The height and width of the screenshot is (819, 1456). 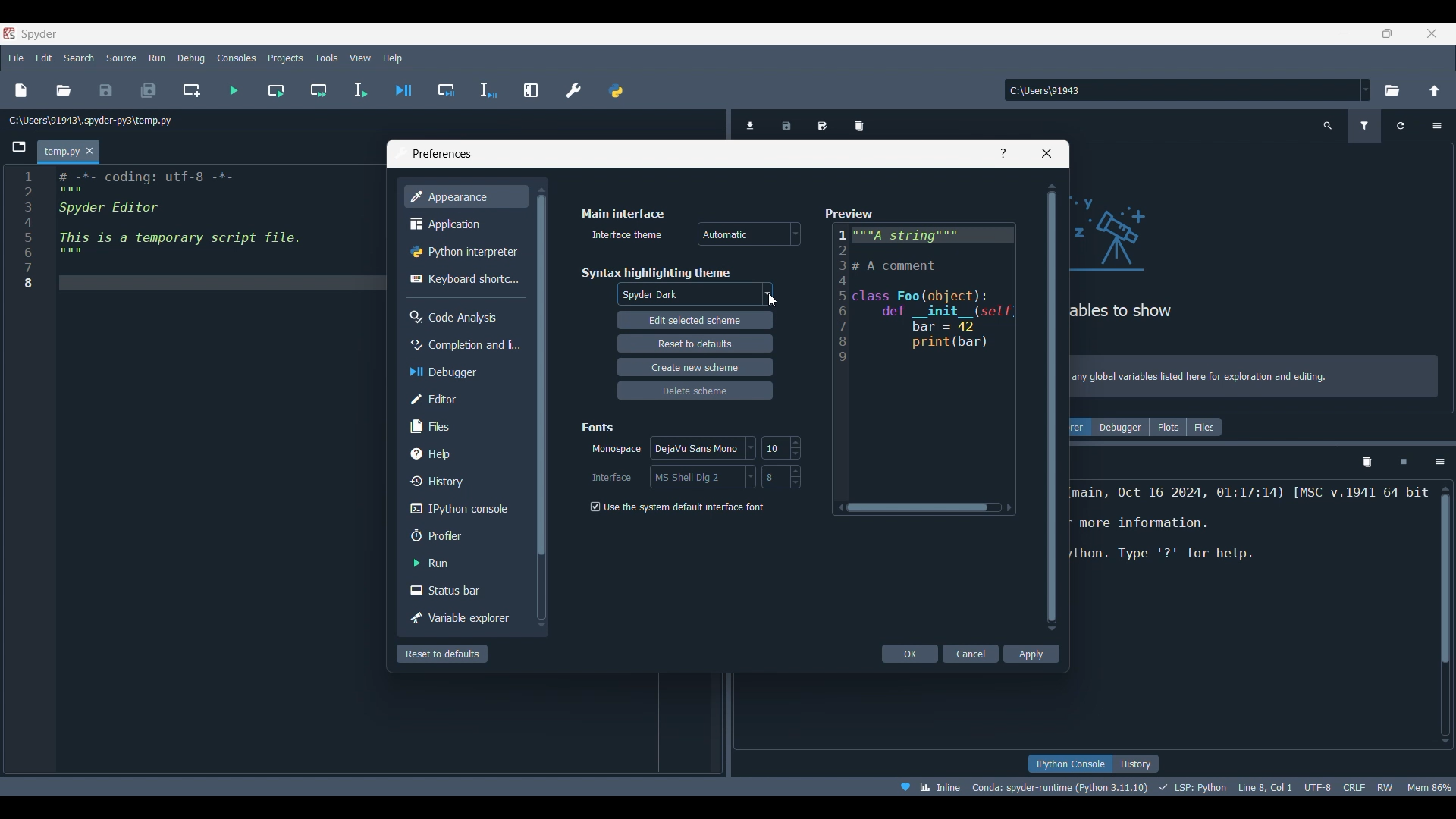 I want to click on Save data as, so click(x=823, y=123).